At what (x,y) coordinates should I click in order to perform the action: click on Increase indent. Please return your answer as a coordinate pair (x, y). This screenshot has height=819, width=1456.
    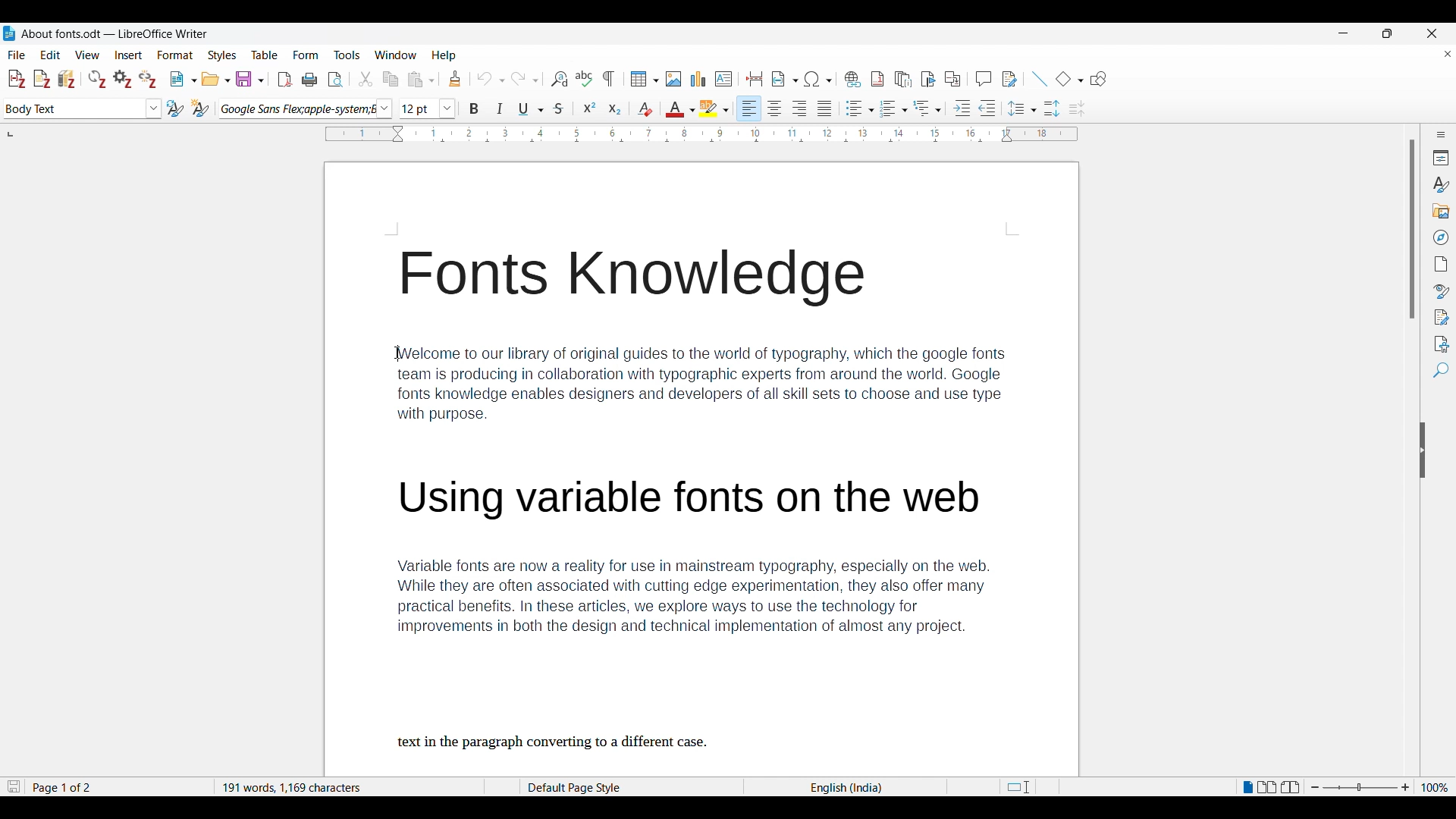
    Looking at the image, I should click on (962, 108).